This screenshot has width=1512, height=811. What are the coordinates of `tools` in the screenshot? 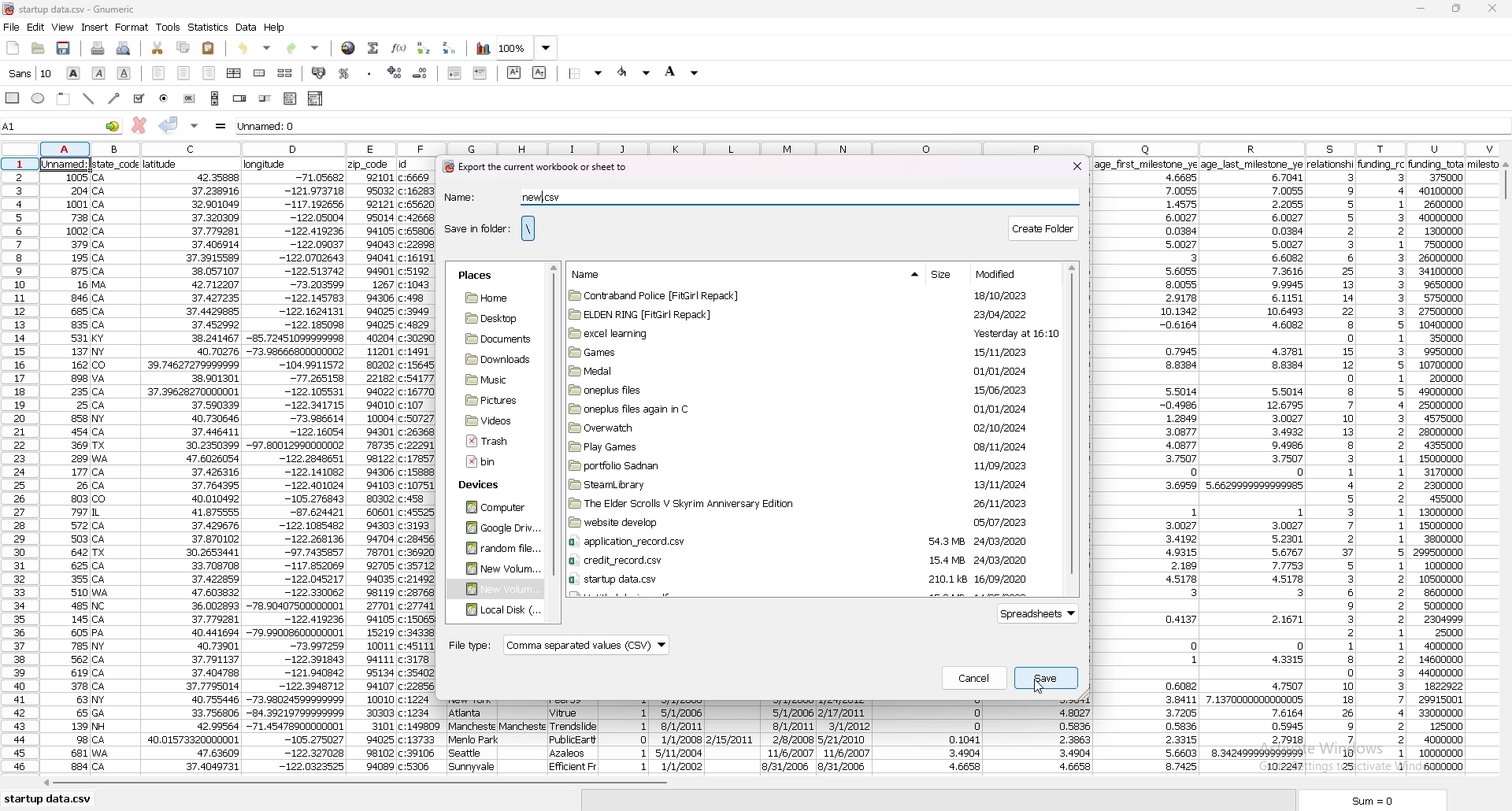 It's located at (169, 27).